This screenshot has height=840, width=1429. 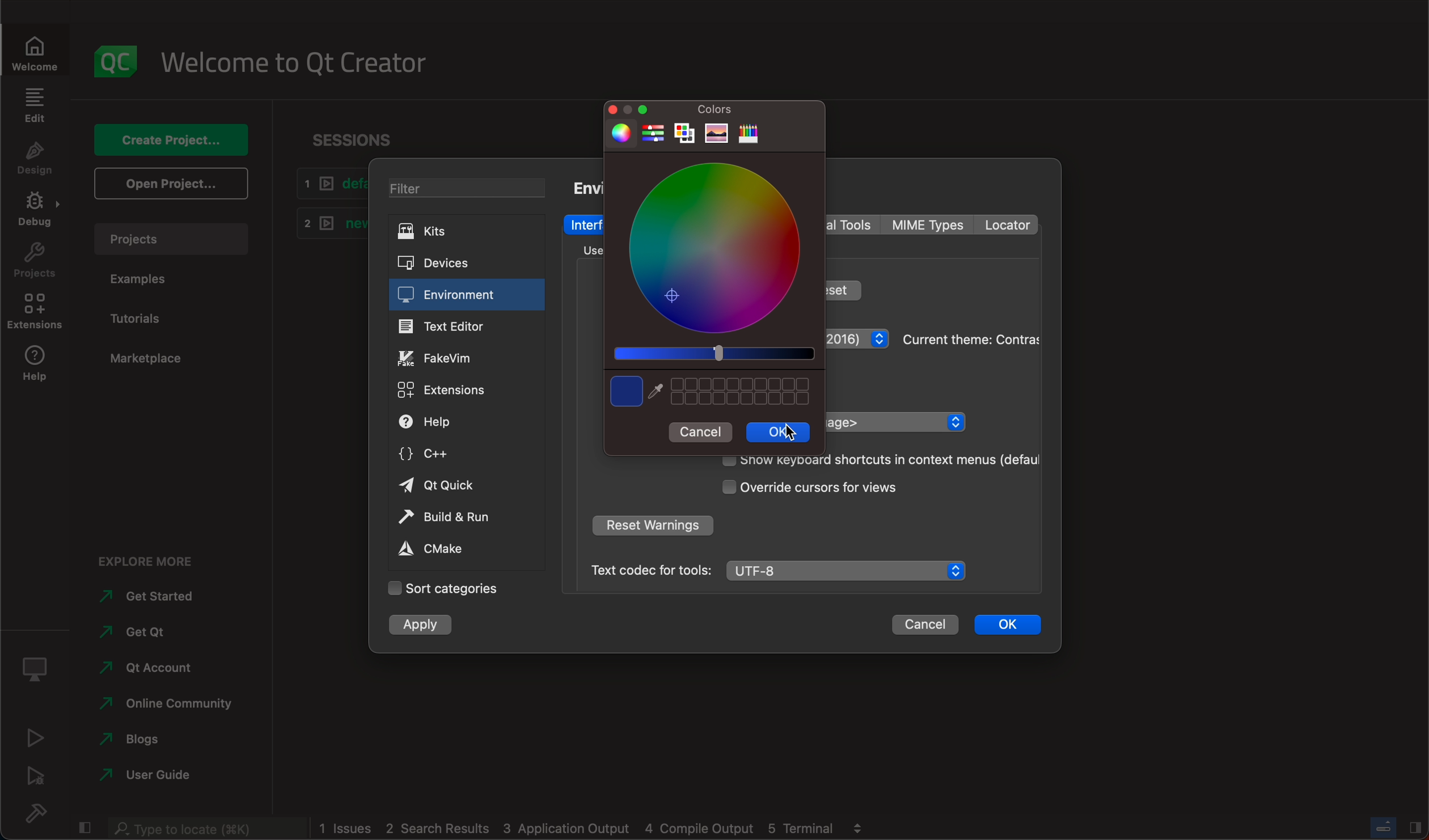 What do you see at coordinates (585, 250) in the screenshot?
I see `use` at bounding box center [585, 250].